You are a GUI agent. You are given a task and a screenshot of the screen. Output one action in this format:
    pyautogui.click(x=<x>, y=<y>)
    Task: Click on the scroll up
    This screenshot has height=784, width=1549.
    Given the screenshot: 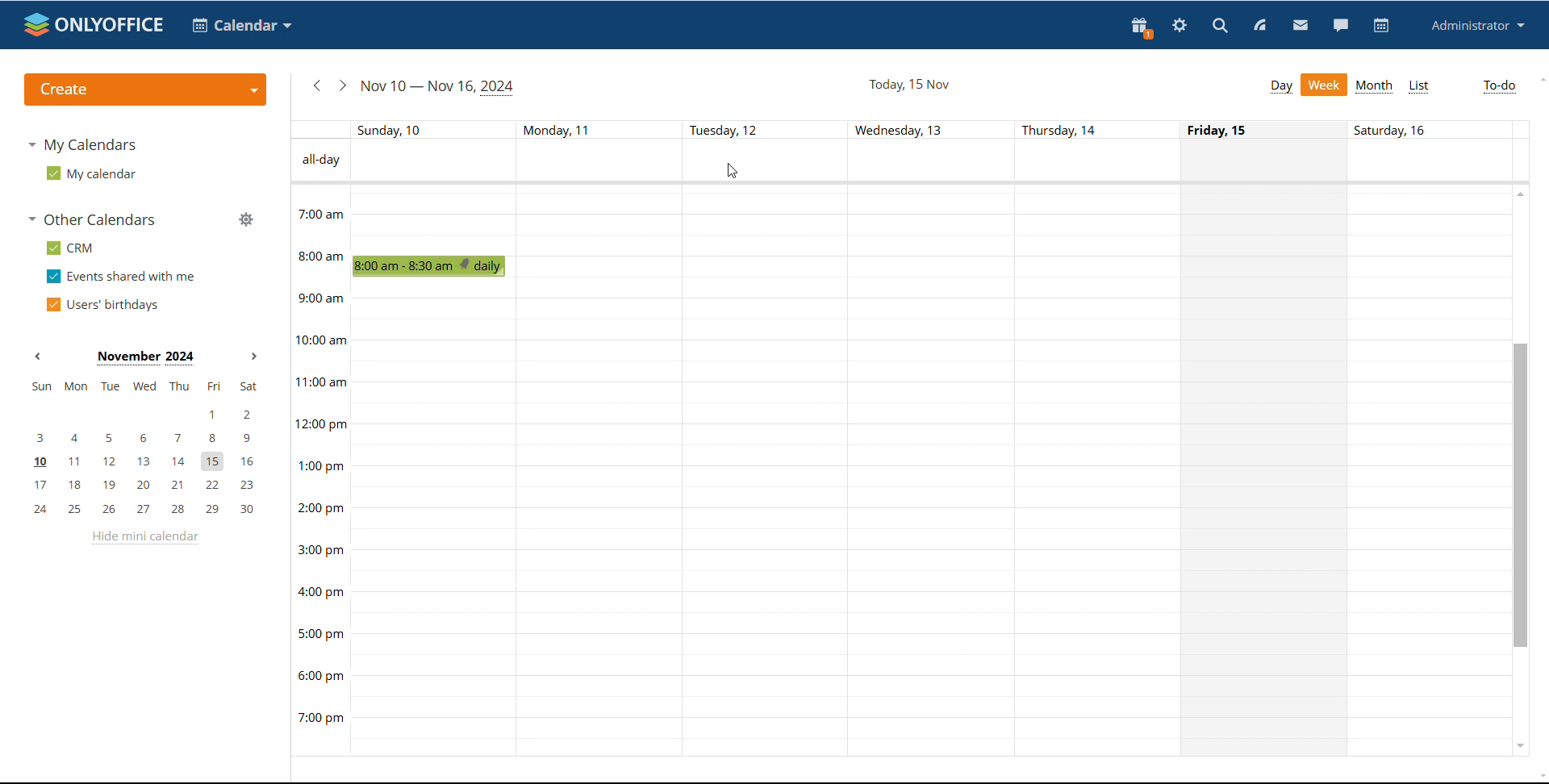 What is the action you would take?
    pyautogui.click(x=1539, y=78)
    